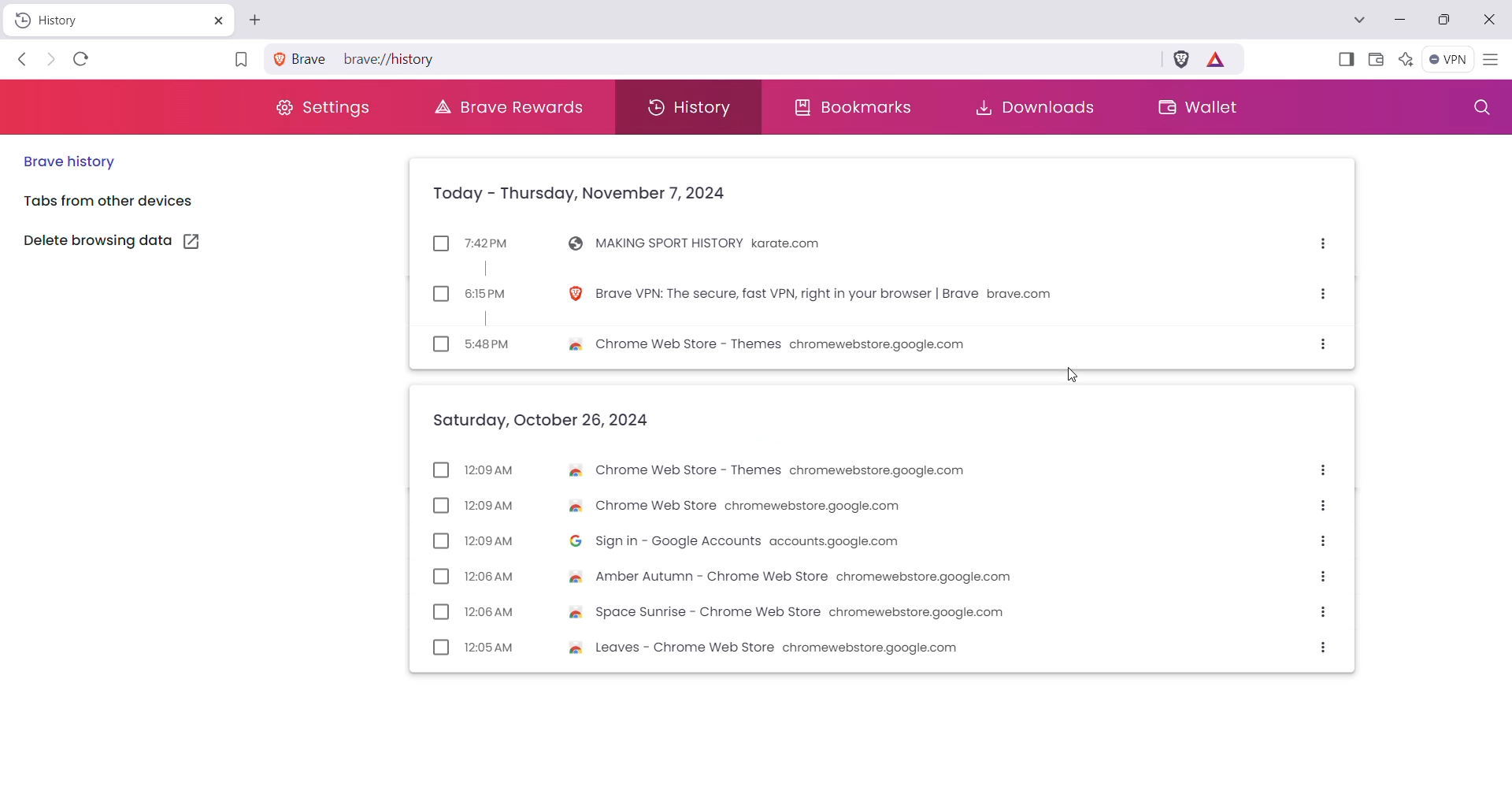  What do you see at coordinates (490, 243) in the screenshot?
I see `7:42PM` at bounding box center [490, 243].